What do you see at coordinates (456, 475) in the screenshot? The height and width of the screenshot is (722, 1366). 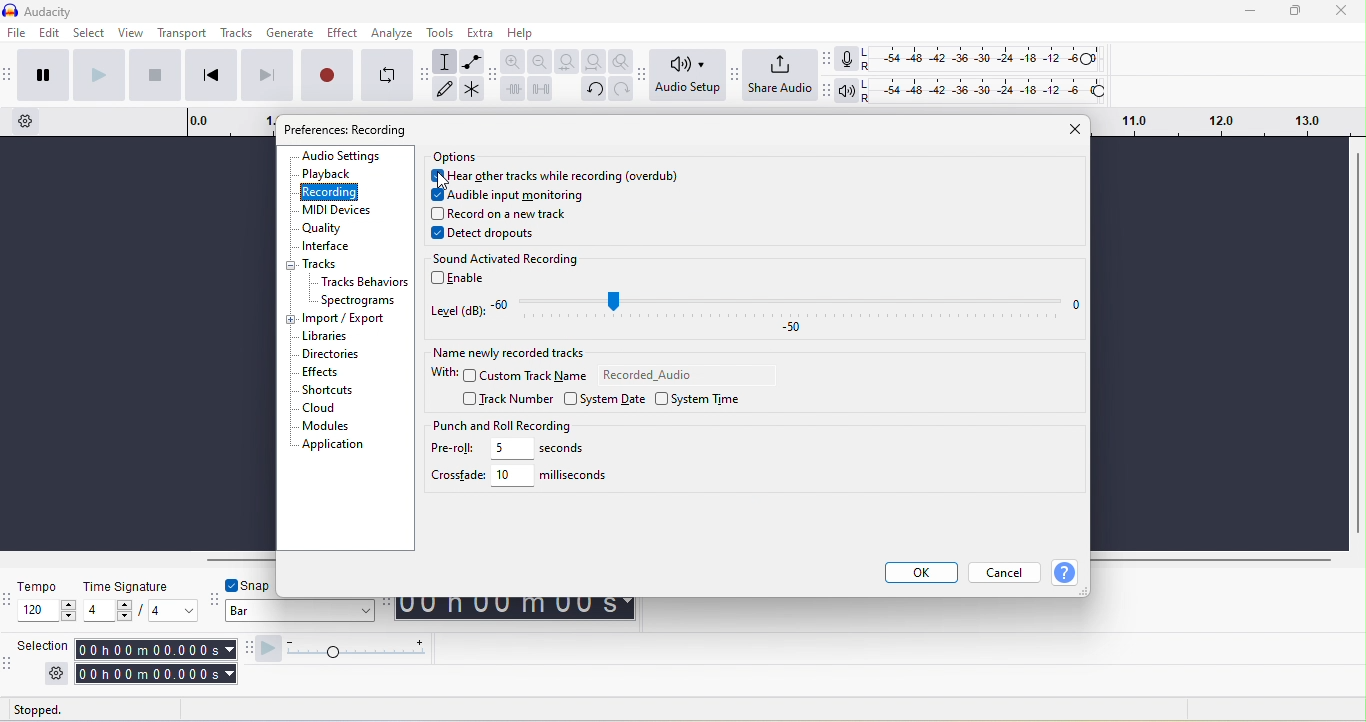 I see `crossfade` at bounding box center [456, 475].